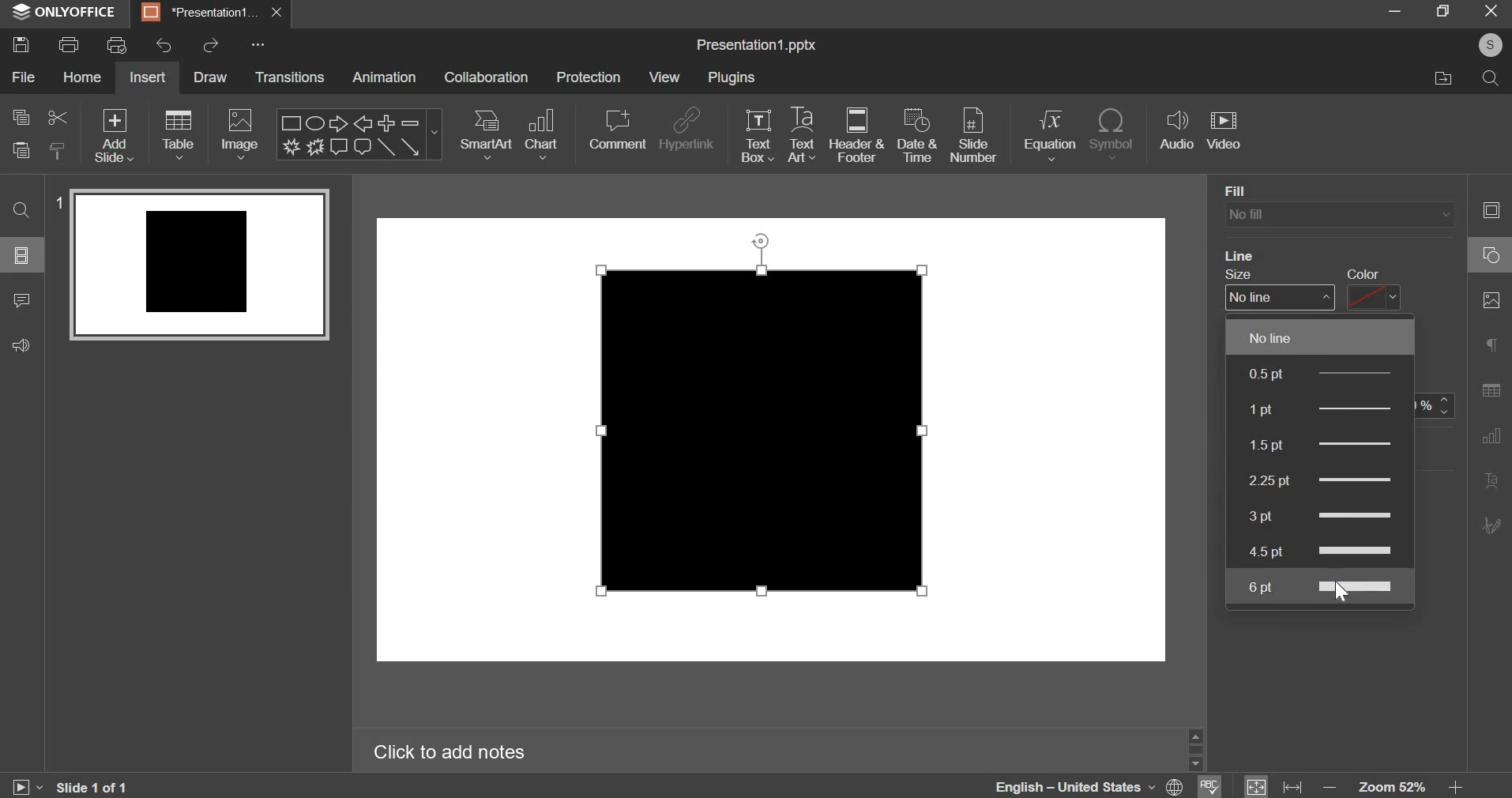 Image resolution: width=1512 pixels, height=798 pixels. What do you see at coordinates (410, 124) in the screenshot?
I see `Subtract Shape` at bounding box center [410, 124].